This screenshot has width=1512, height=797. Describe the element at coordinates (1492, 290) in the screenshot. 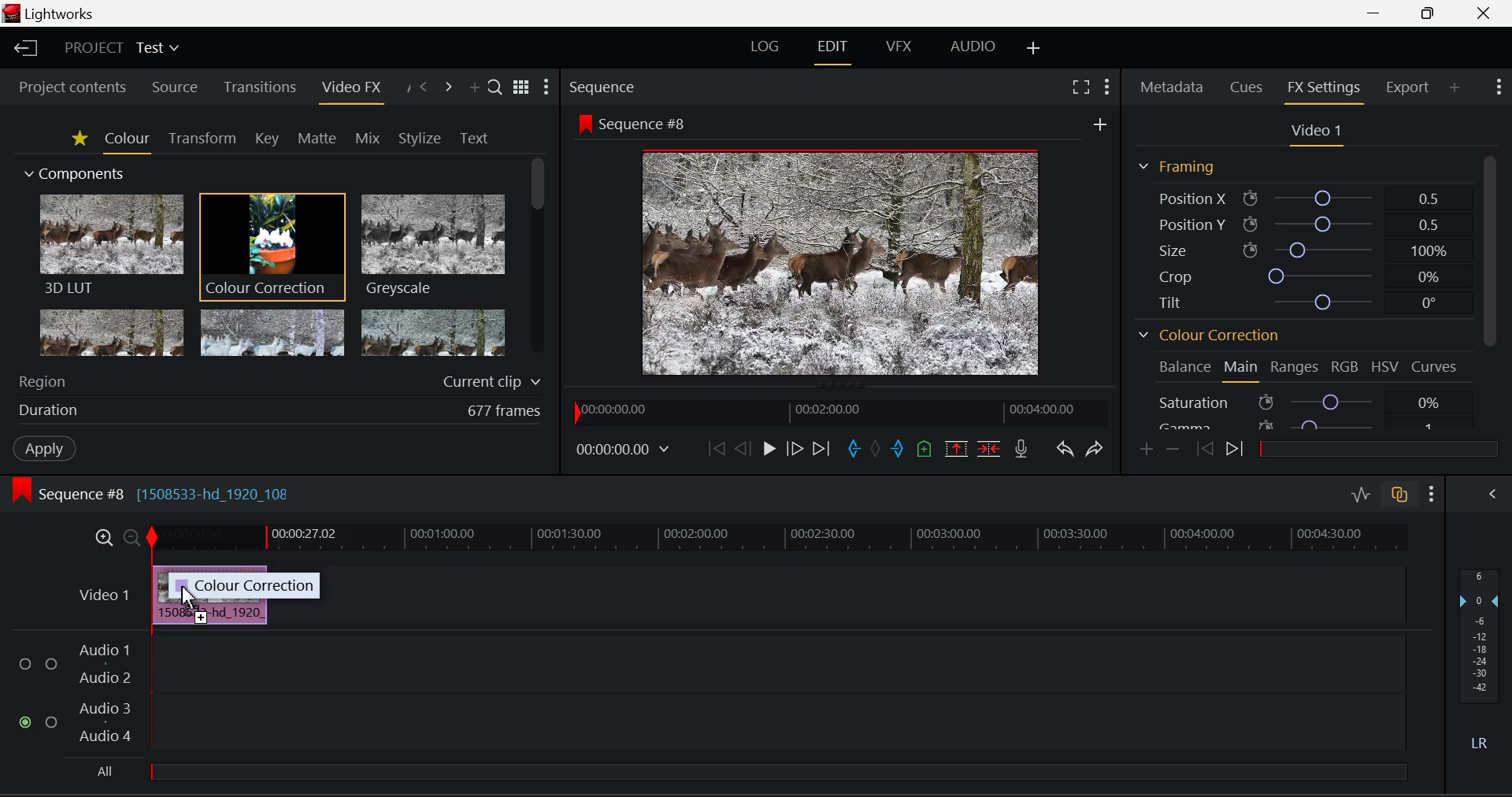

I see `Scroll Bar` at that location.